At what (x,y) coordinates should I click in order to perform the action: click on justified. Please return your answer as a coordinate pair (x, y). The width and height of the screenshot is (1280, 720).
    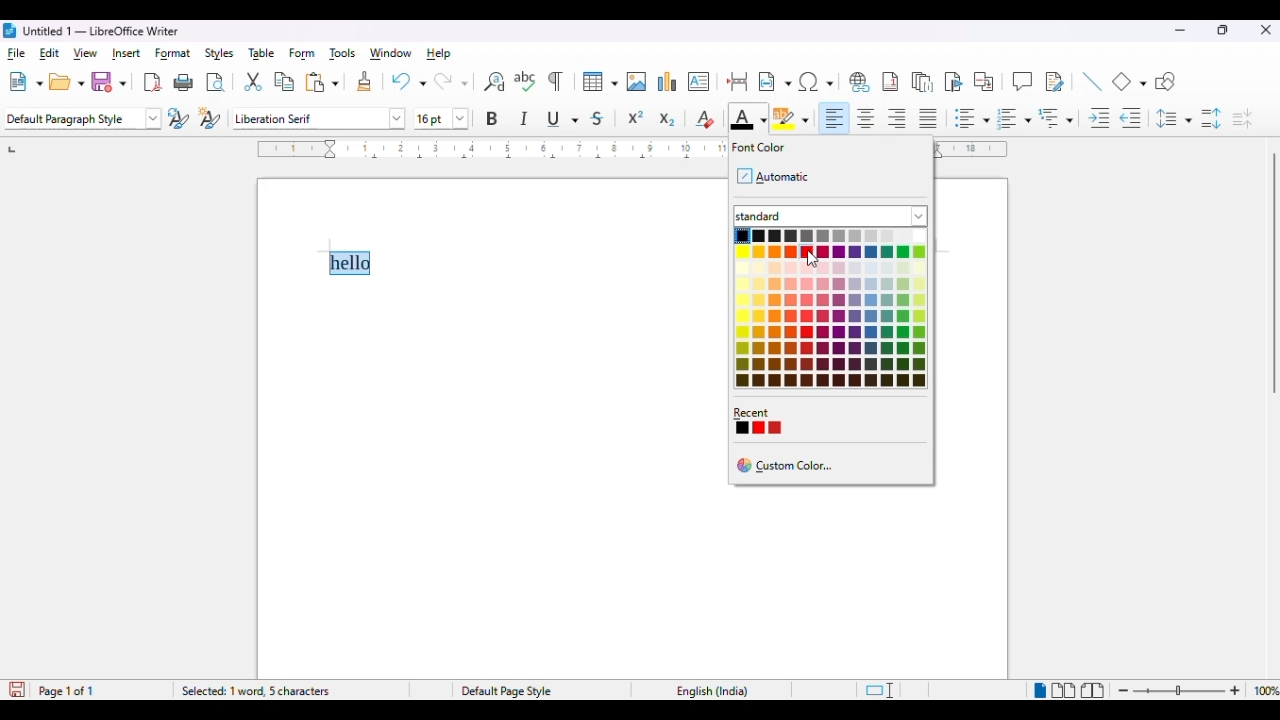
    Looking at the image, I should click on (929, 118).